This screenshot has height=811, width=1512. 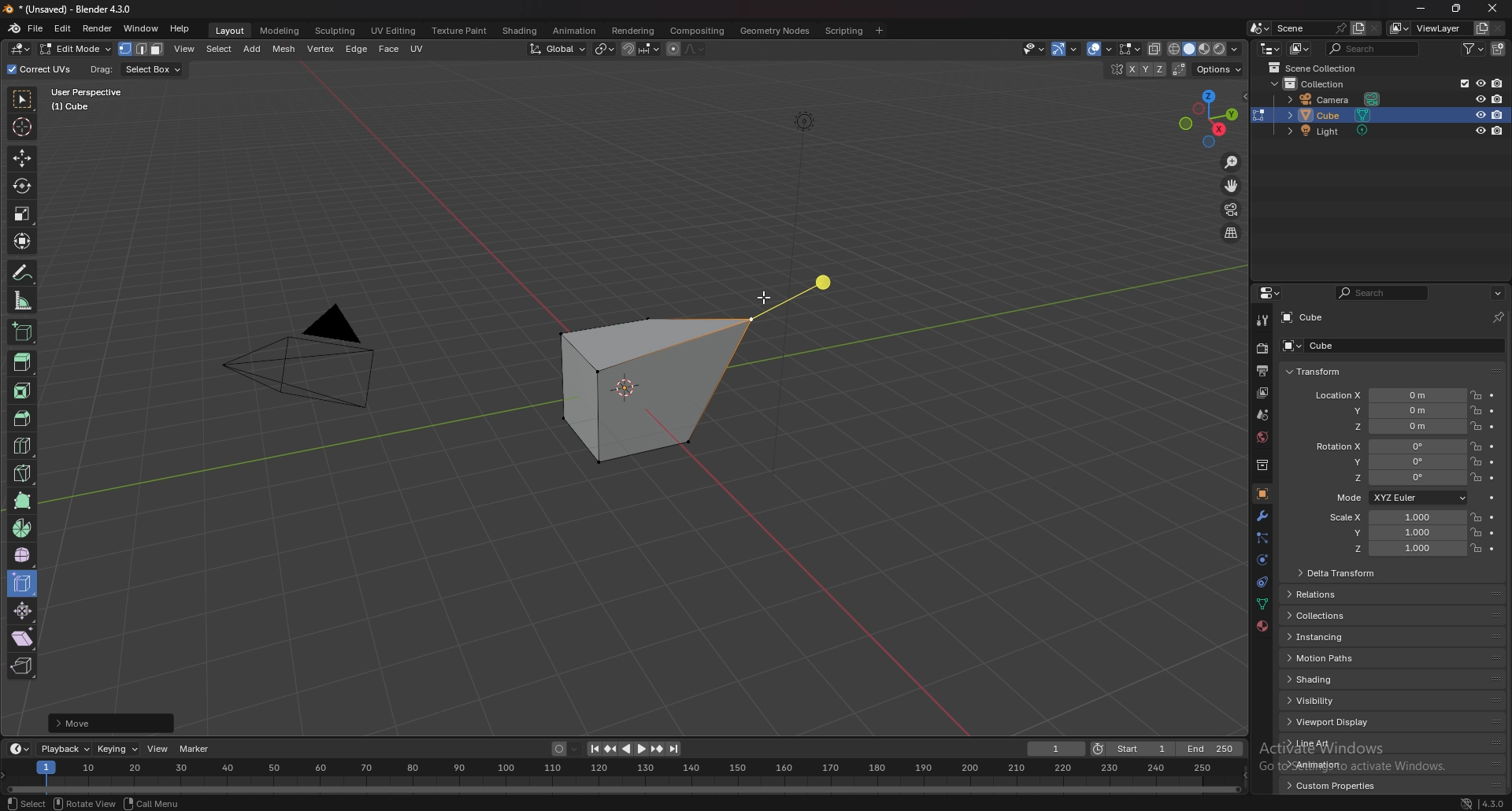 What do you see at coordinates (1492, 549) in the screenshot?
I see `animate property` at bounding box center [1492, 549].